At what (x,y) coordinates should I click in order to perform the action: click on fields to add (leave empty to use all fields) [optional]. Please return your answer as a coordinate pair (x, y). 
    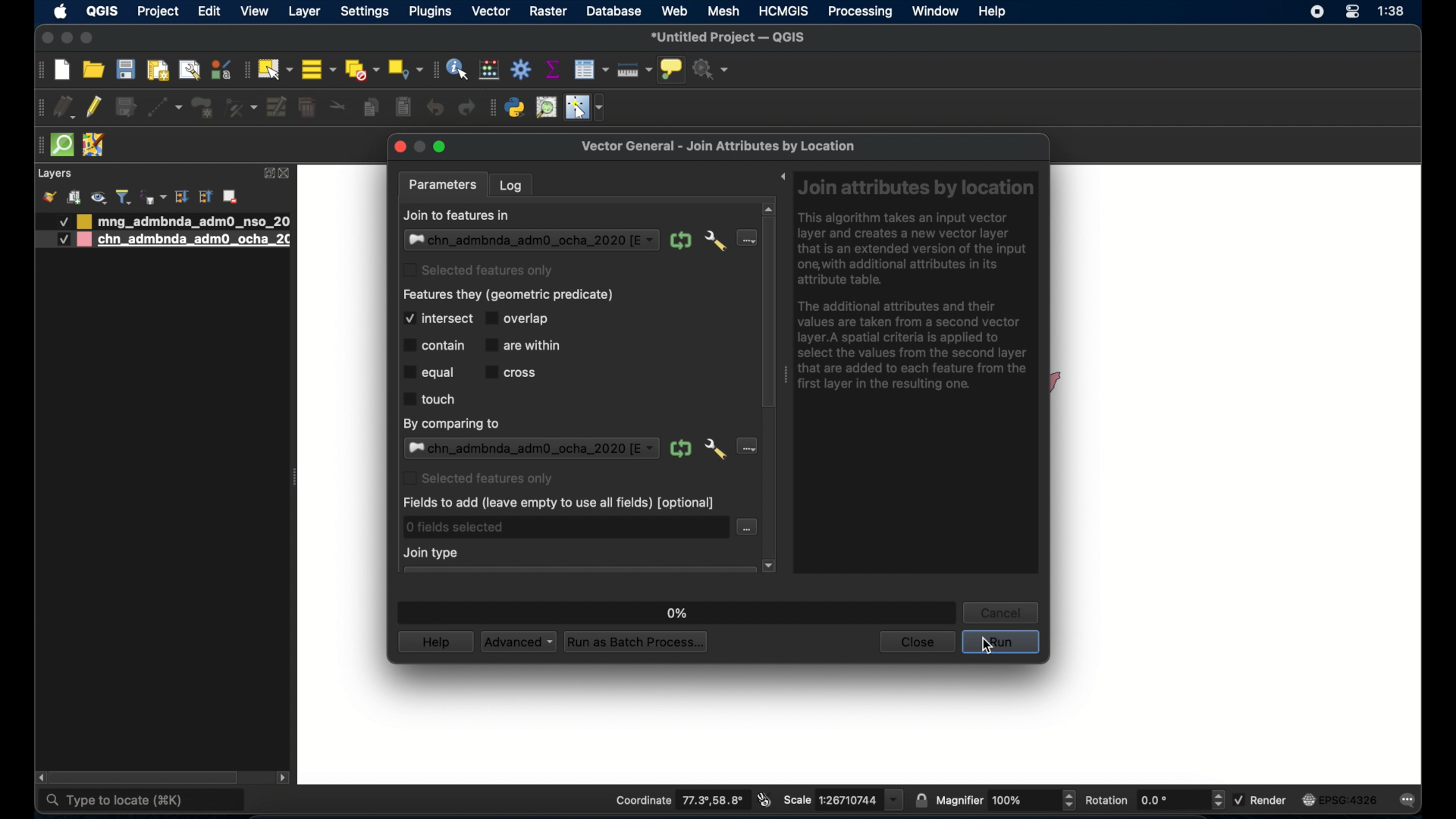
    Looking at the image, I should click on (557, 504).